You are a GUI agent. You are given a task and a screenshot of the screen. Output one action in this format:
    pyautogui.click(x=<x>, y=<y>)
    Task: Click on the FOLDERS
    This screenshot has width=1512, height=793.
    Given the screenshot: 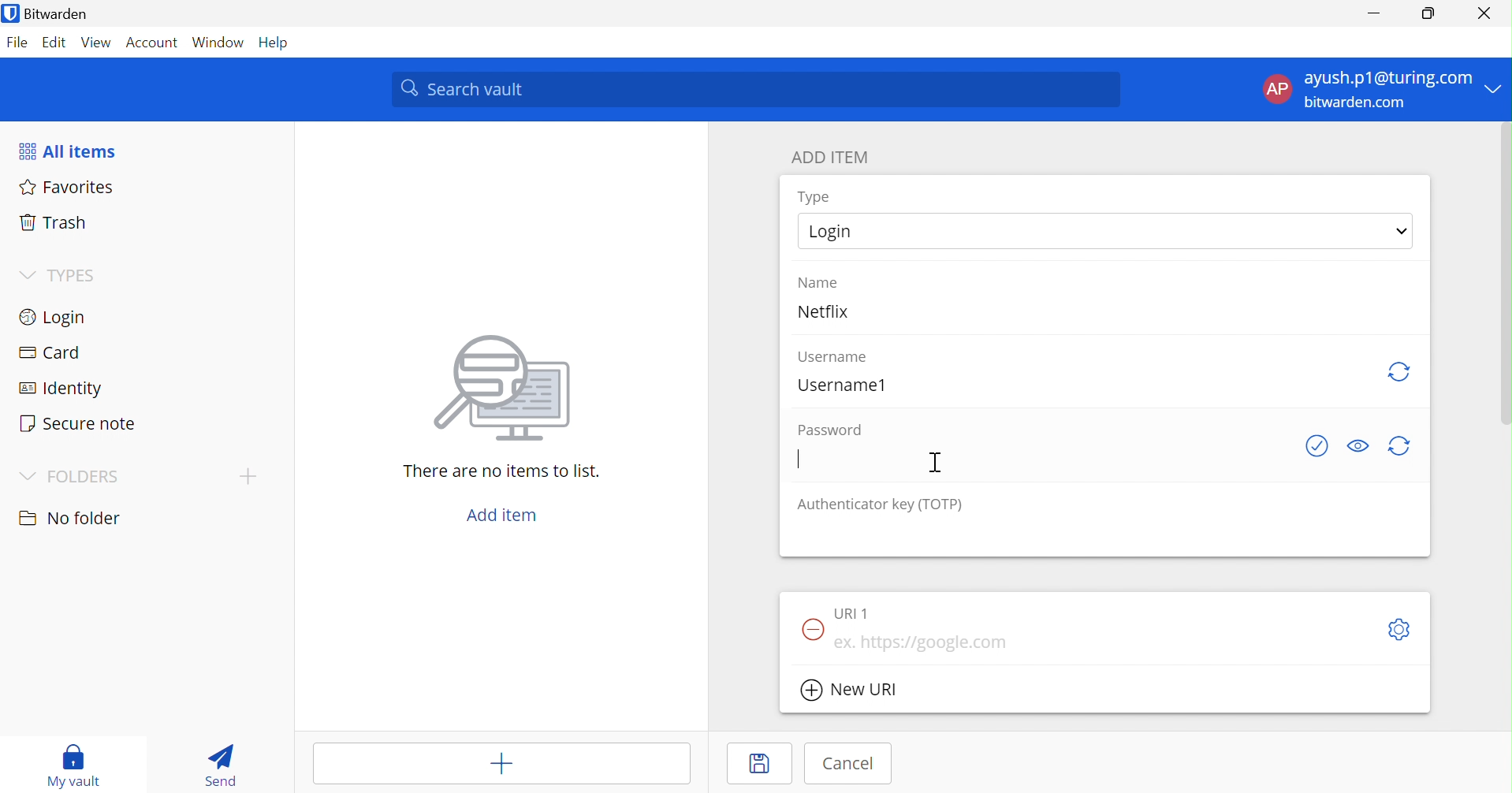 What is the action you would take?
    pyautogui.click(x=67, y=478)
    